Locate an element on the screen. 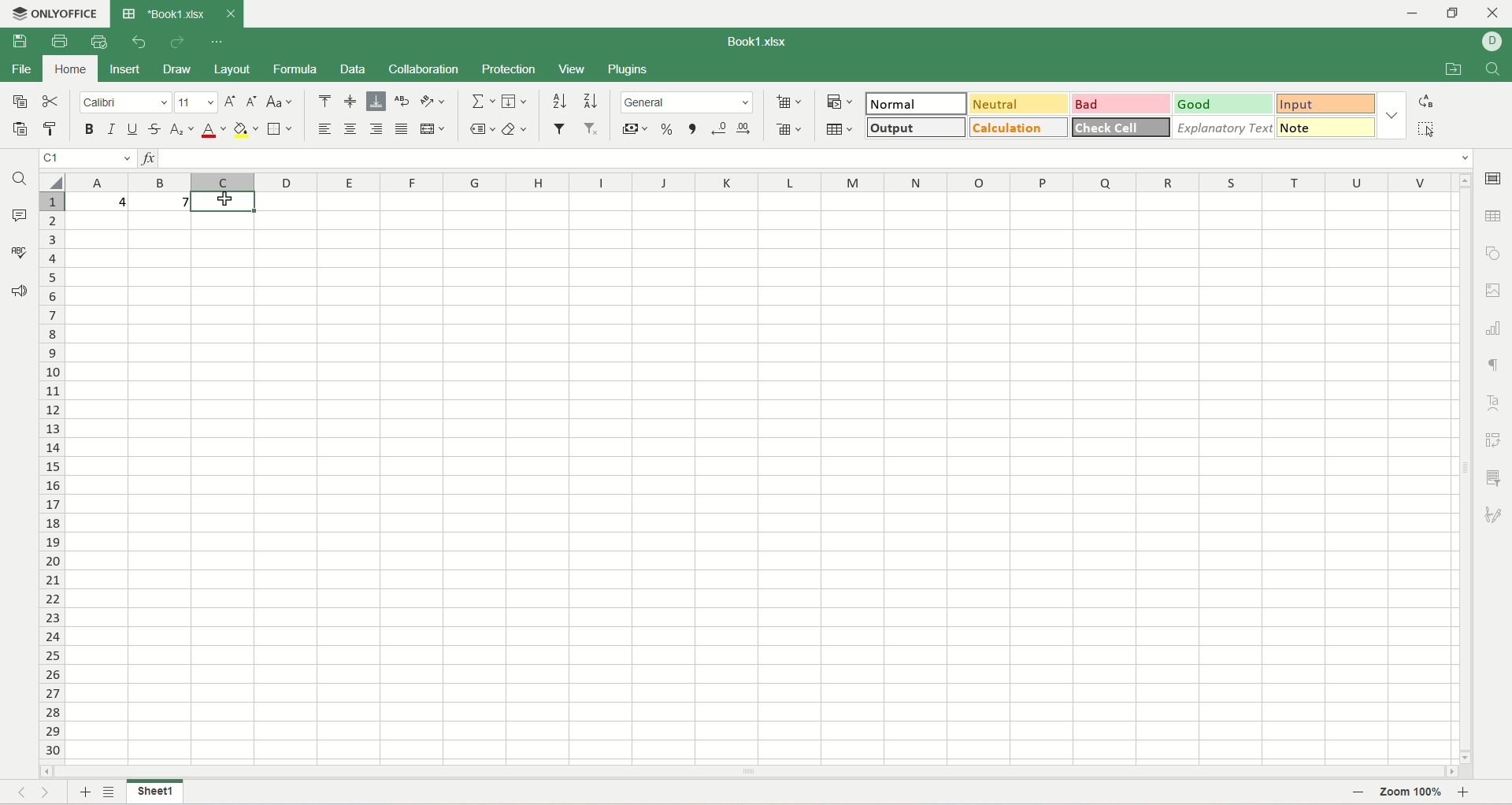 This screenshot has width=1512, height=805. note is located at coordinates (1329, 127).